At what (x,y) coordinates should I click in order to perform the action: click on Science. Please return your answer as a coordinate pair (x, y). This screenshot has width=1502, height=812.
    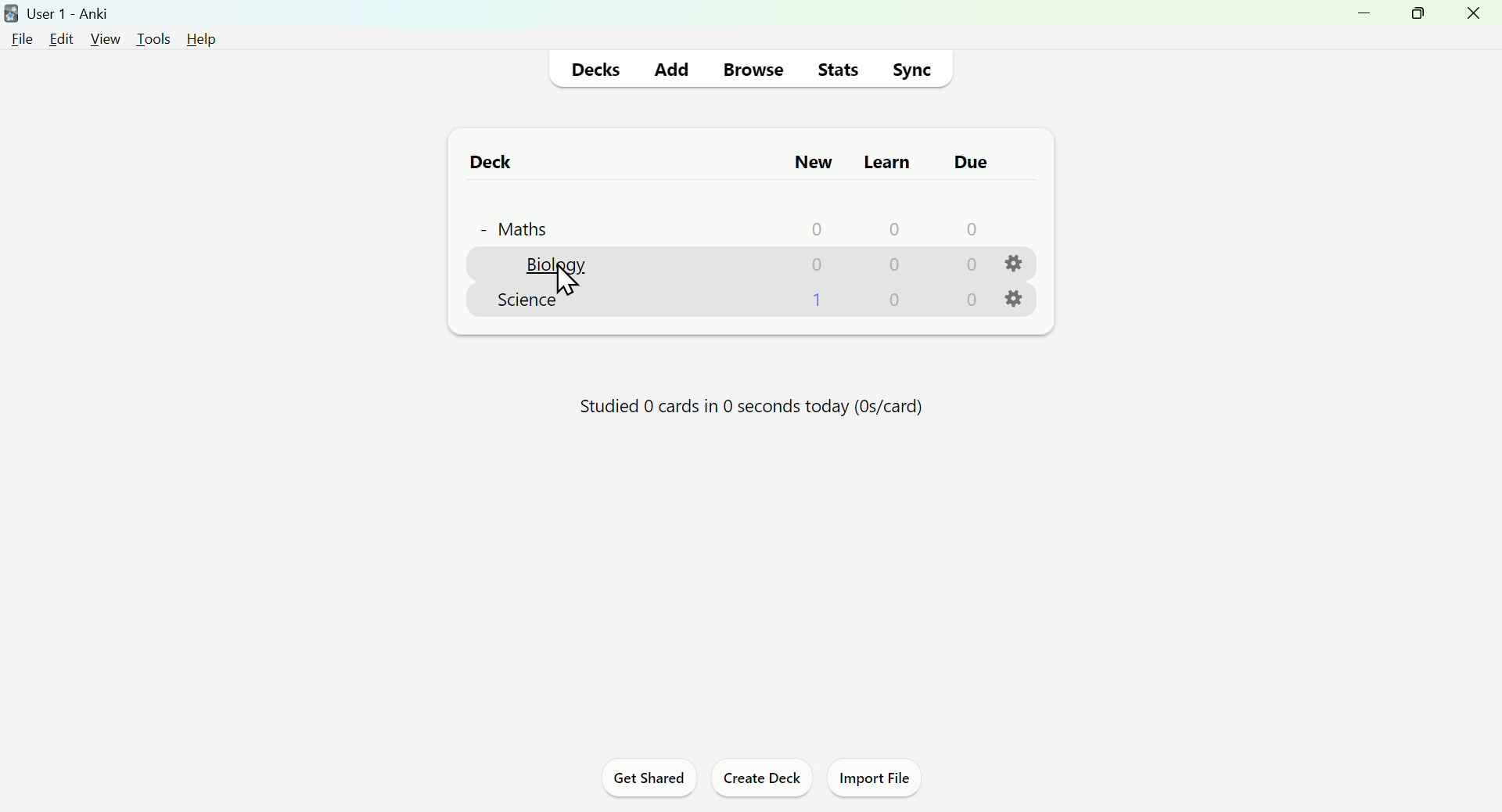
    Looking at the image, I should click on (530, 301).